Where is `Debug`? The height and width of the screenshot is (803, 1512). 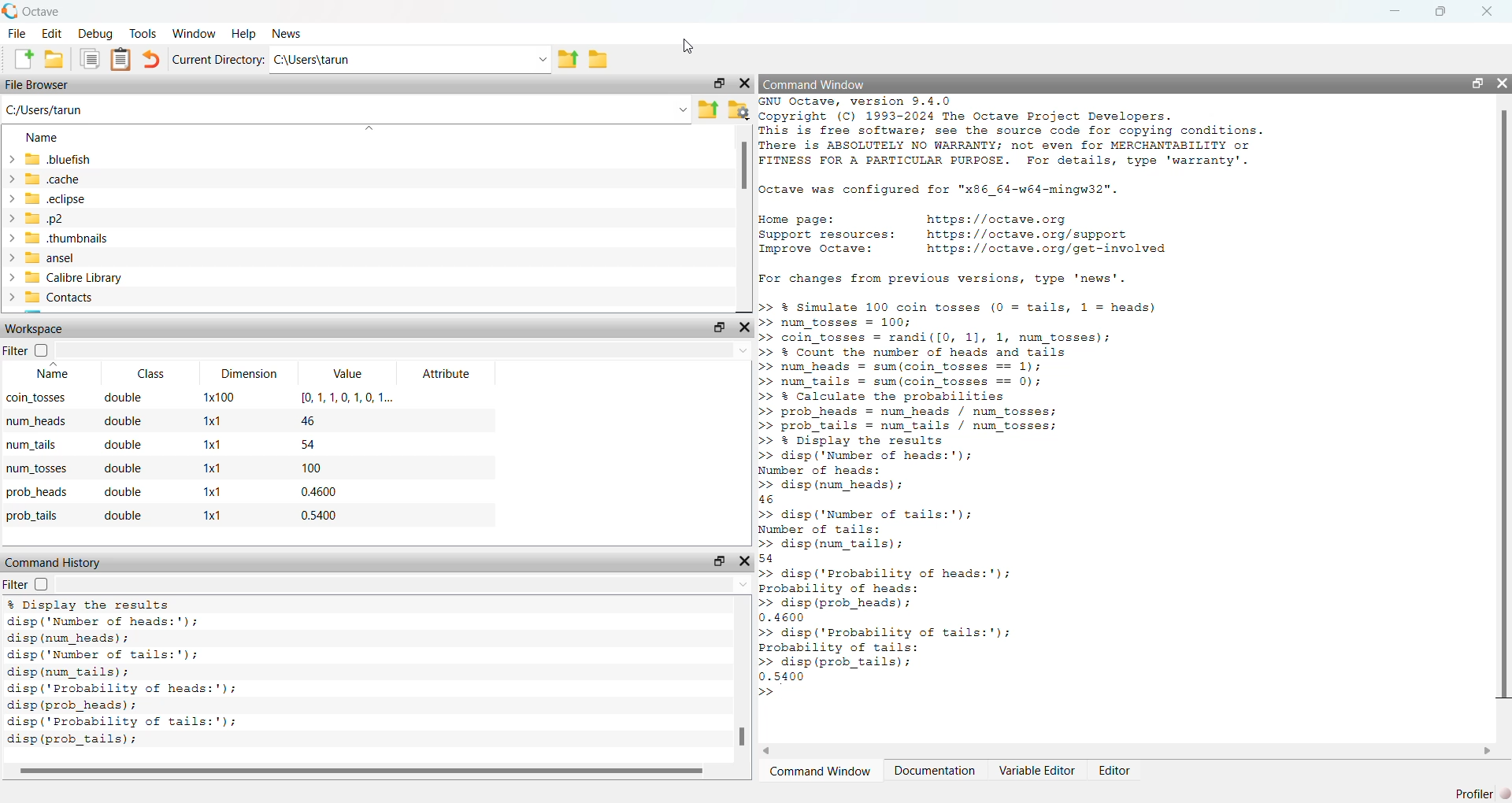 Debug is located at coordinates (97, 34).